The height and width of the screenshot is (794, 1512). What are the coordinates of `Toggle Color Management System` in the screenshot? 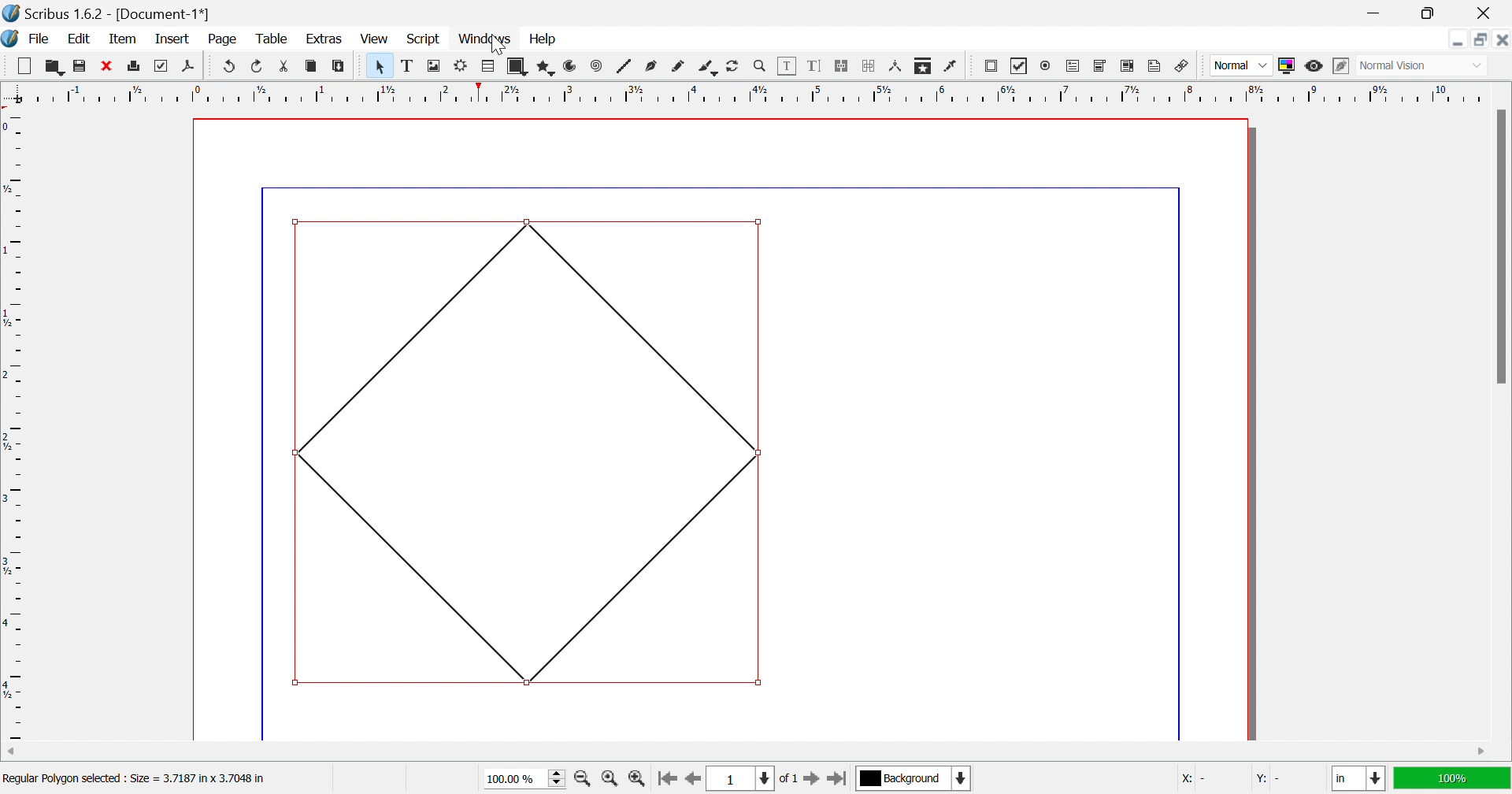 It's located at (1286, 65).